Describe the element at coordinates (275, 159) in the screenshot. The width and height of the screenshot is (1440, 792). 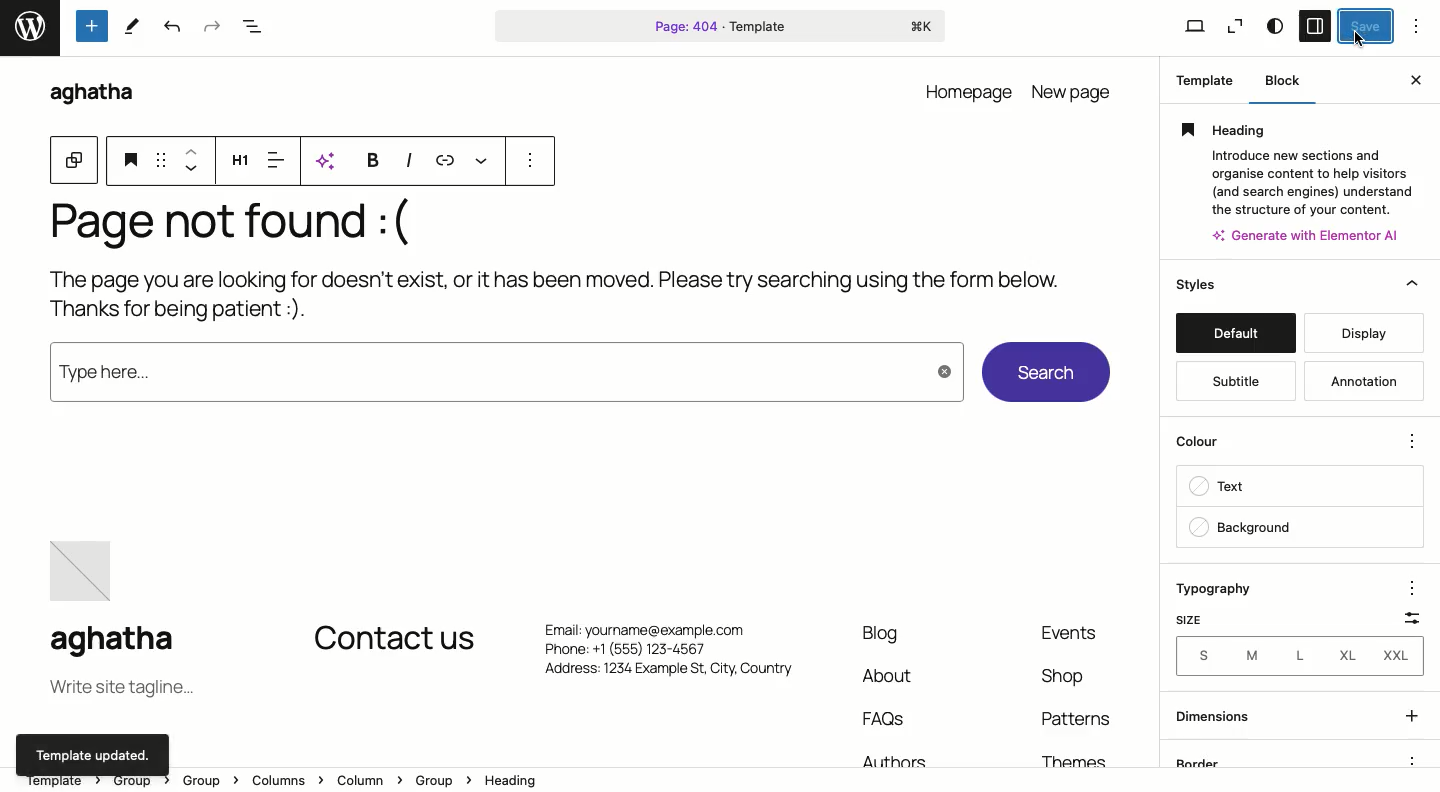
I see `Align` at that location.